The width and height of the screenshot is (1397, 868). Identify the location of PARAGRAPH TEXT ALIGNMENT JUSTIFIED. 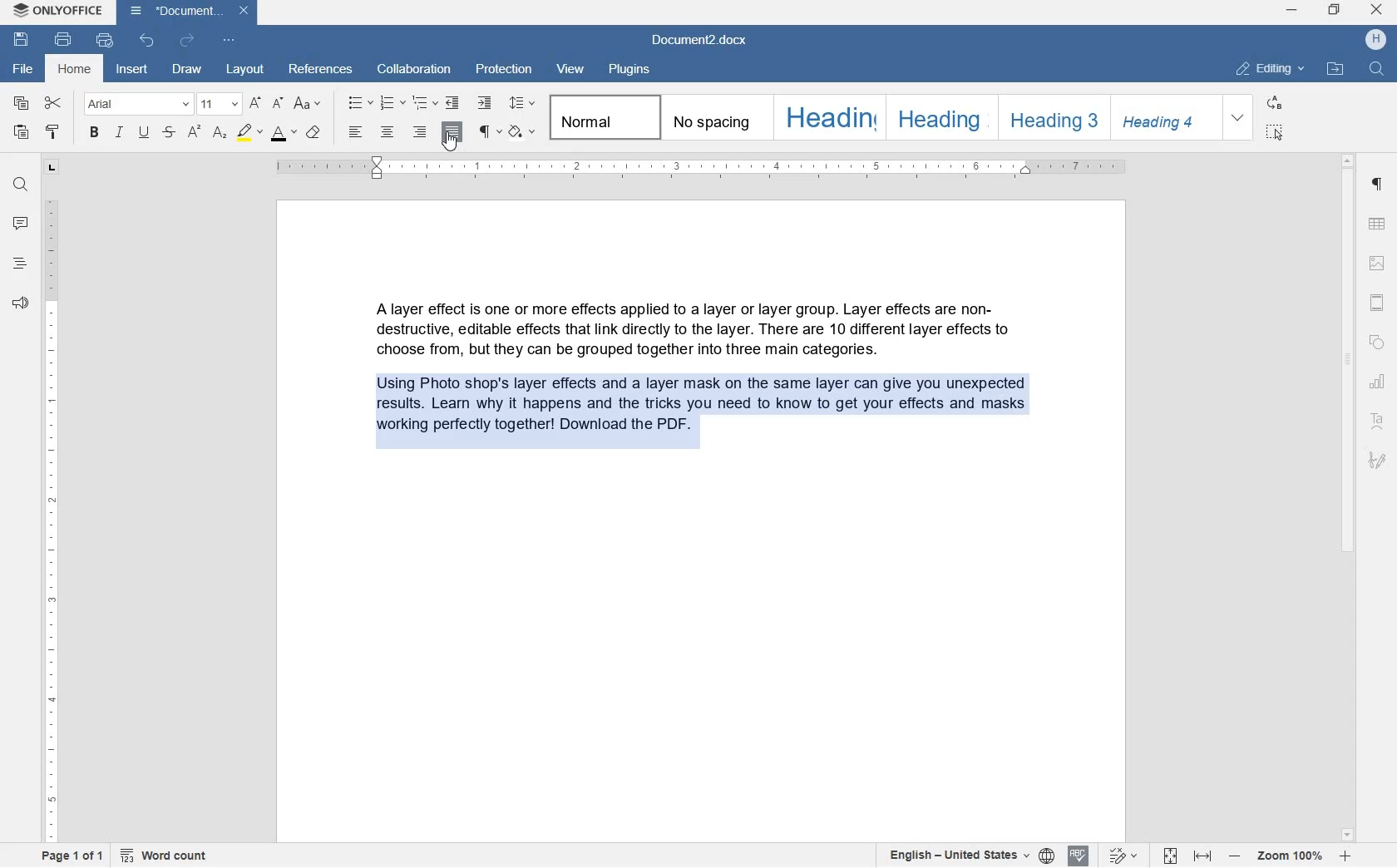
(709, 418).